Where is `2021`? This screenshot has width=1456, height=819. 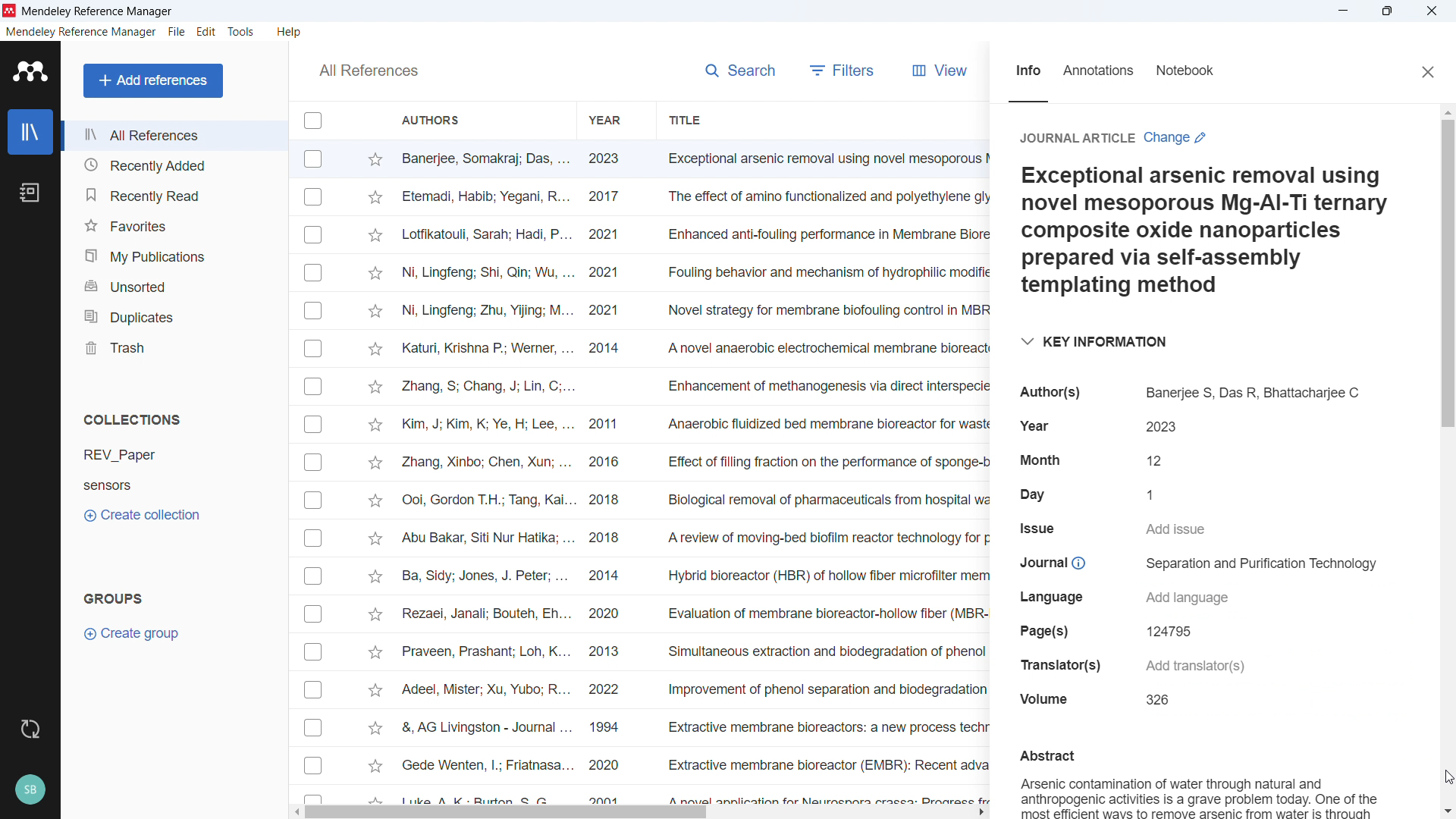
2021 is located at coordinates (610, 274).